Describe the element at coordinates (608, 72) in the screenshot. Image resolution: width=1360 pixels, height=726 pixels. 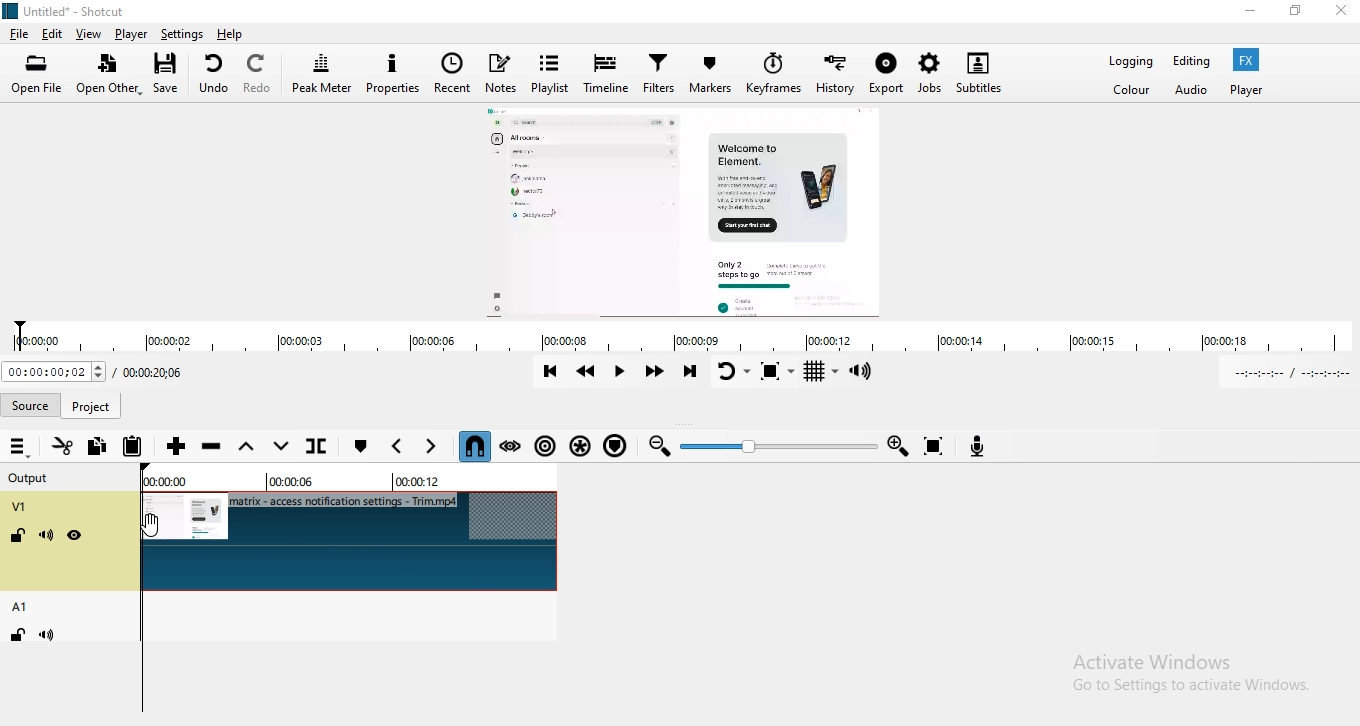
I see `Timeline` at that location.